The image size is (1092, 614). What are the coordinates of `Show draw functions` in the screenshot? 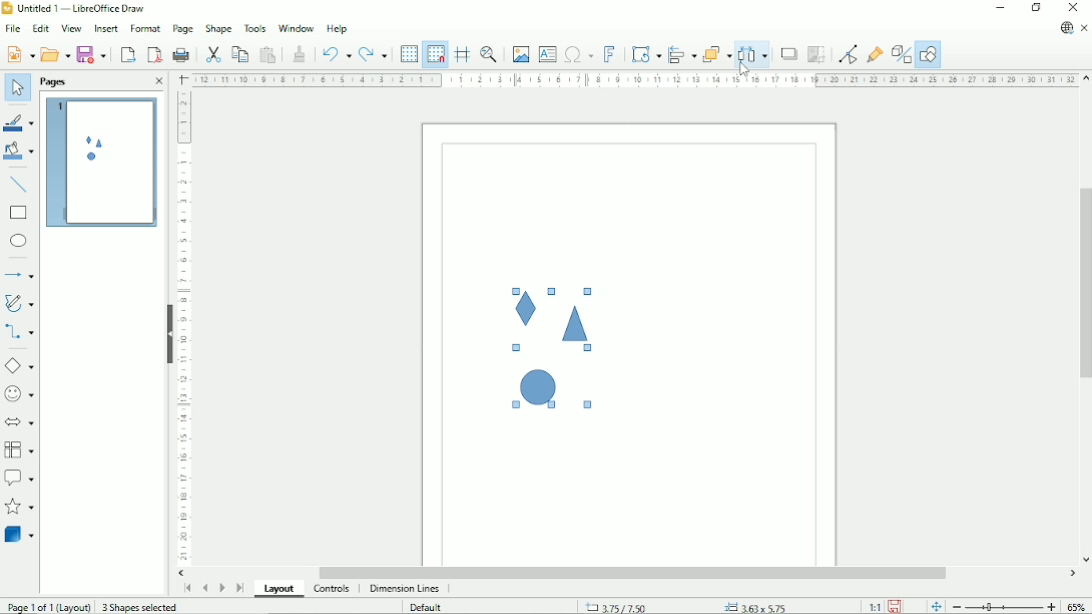 It's located at (928, 55).